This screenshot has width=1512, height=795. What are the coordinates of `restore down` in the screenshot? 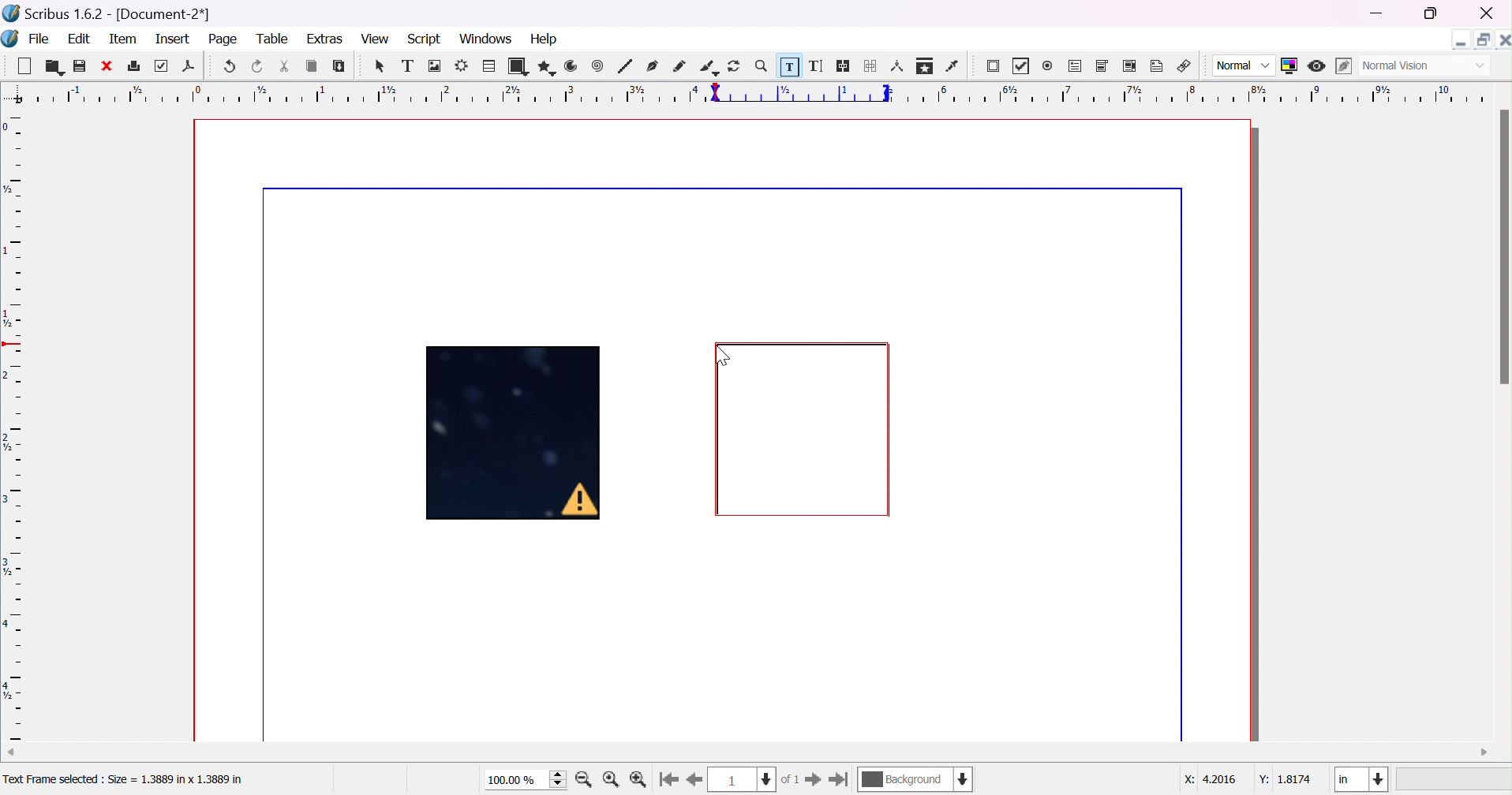 It's located at (1432, 15).